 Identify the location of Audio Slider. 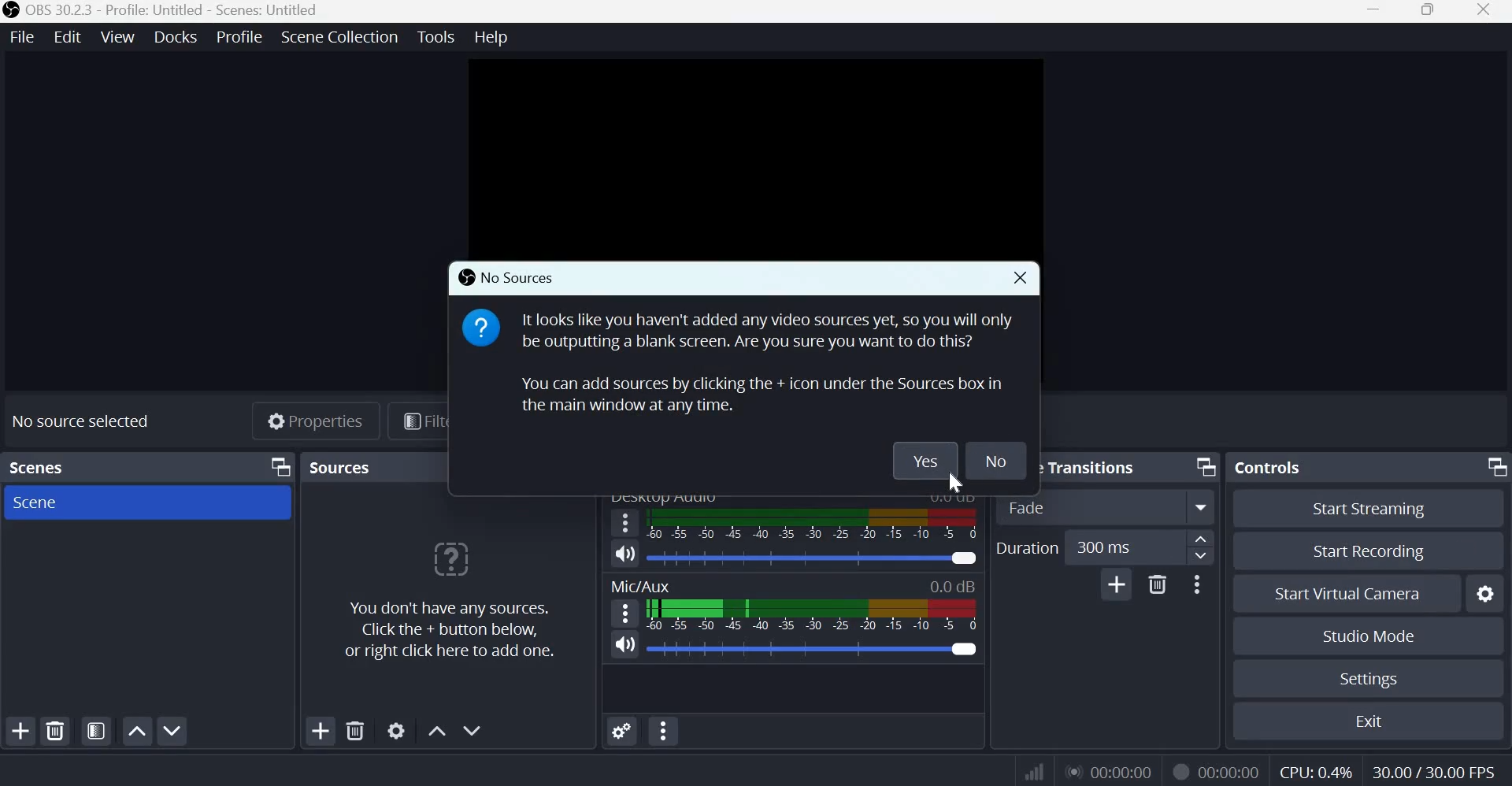
(963, 558).